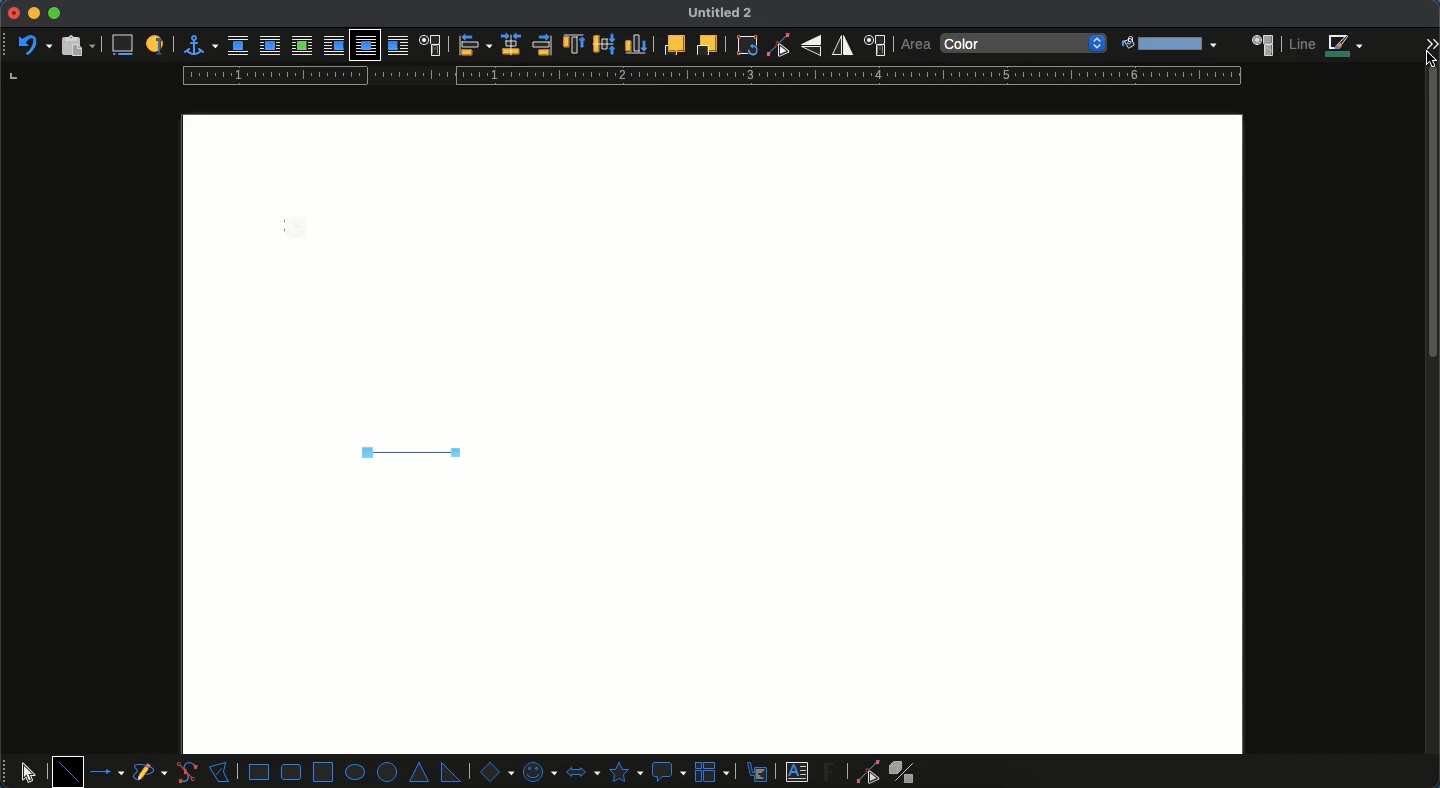 This screenshot has height=788, width=1440. What do you see at coordinates (797, 772) in the screenshot?
I see `text box` at bounding box center [797, 772].